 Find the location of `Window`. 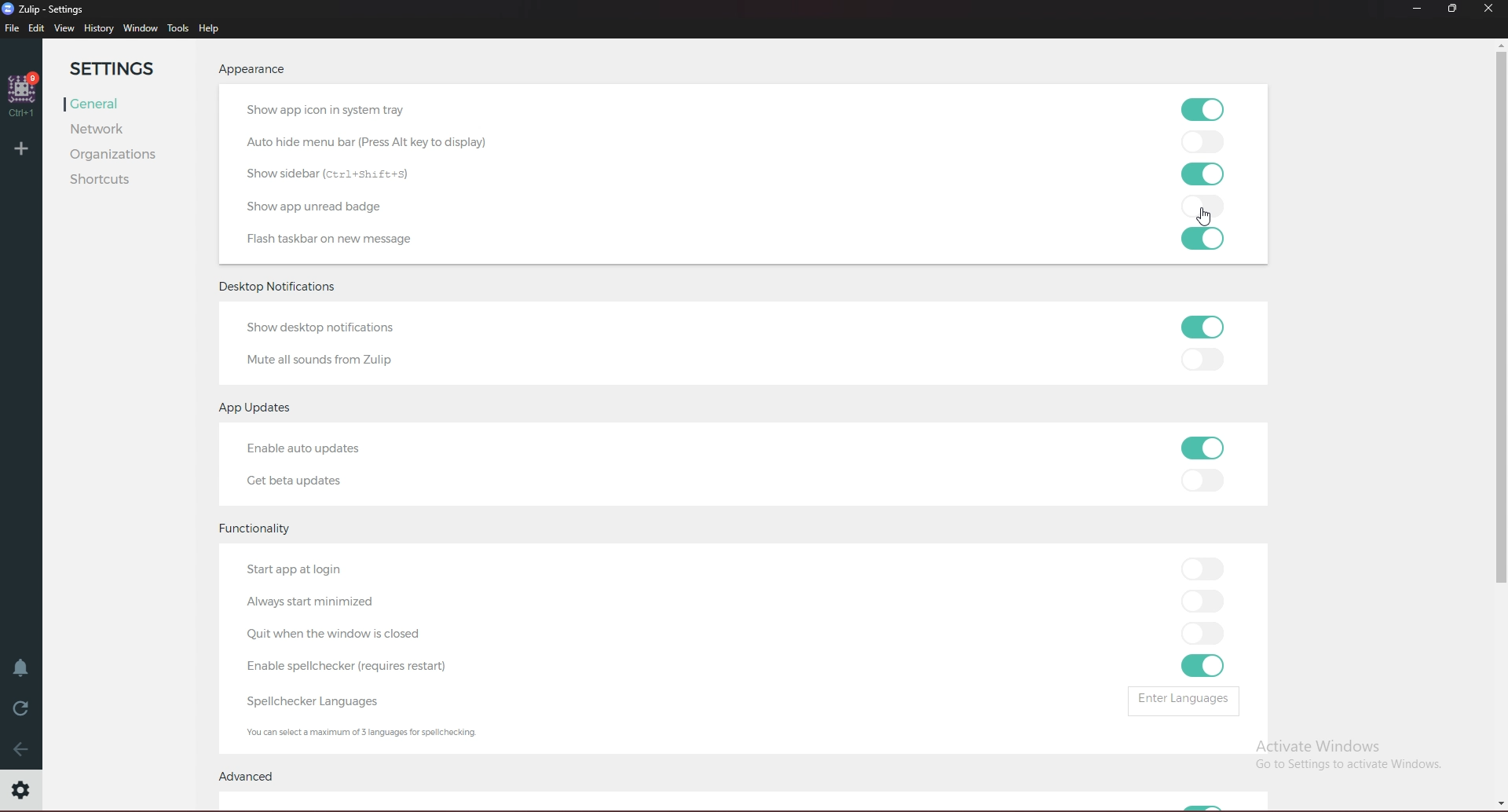

Window is located at coordinates (141, 29).